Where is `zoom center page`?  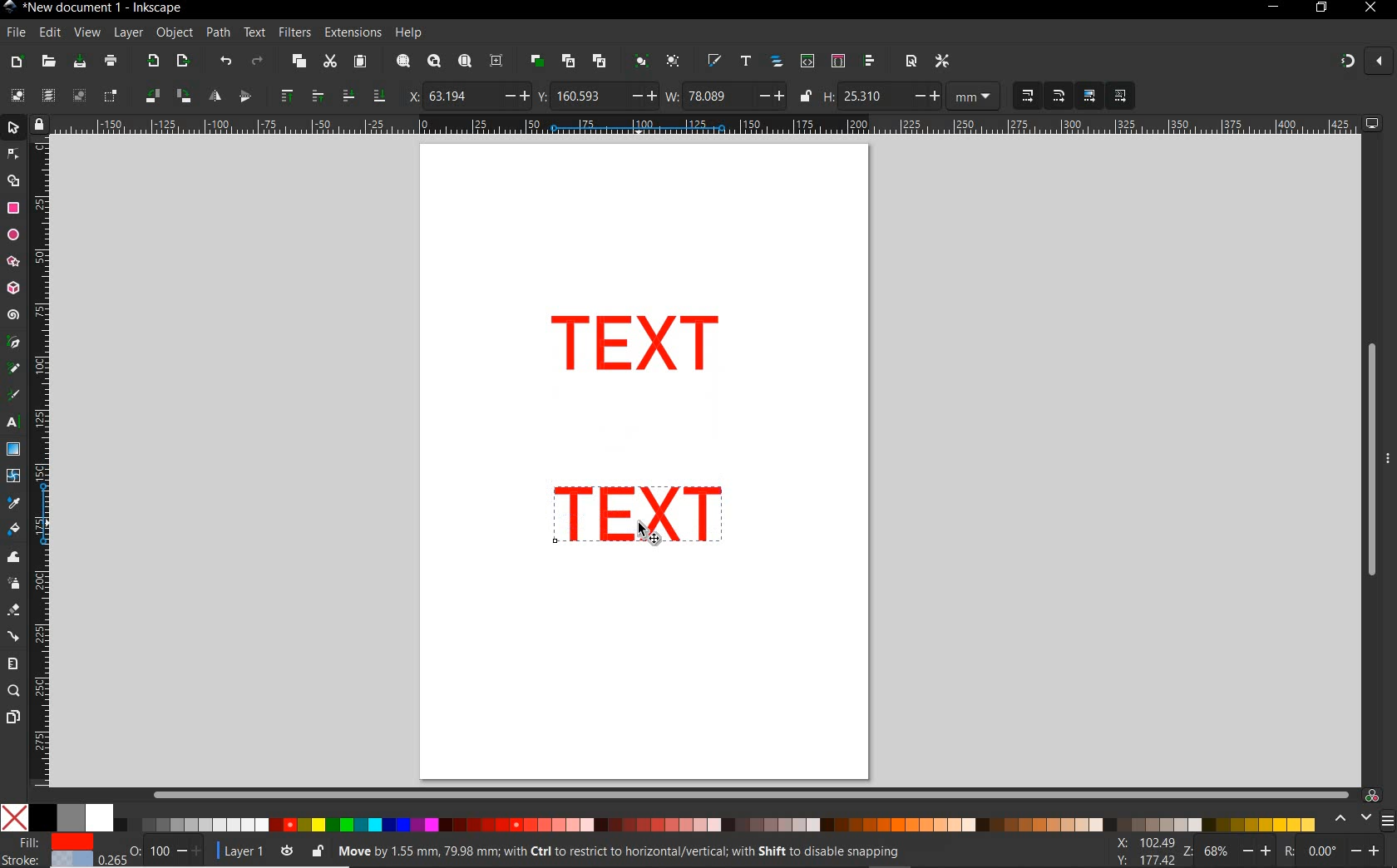 zoom center page is located at coordinates (500, 60).